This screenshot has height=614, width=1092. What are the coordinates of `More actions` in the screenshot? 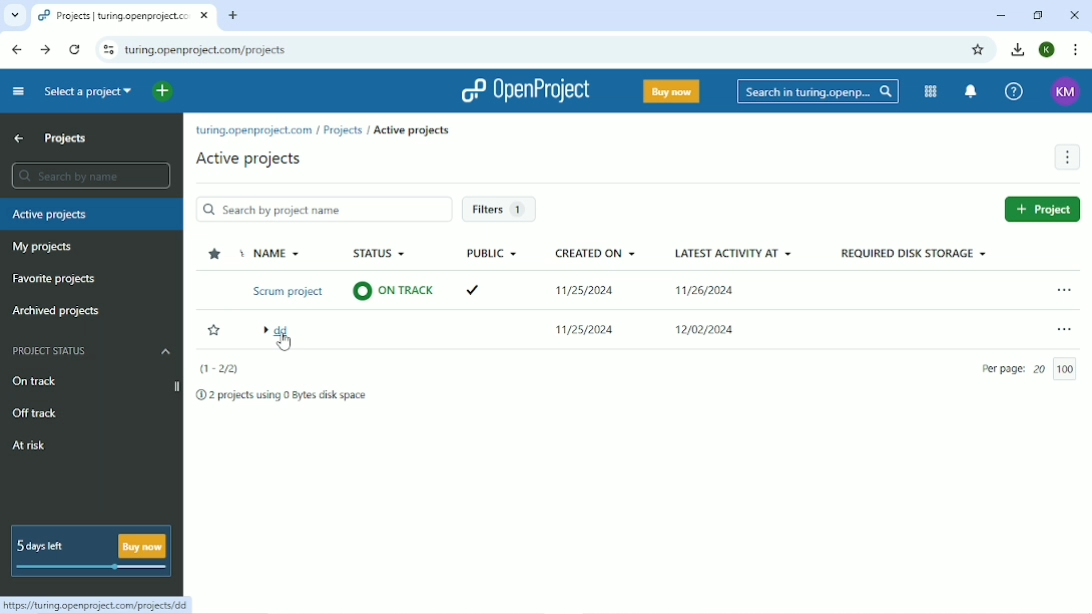 It's located at (1069, 157).